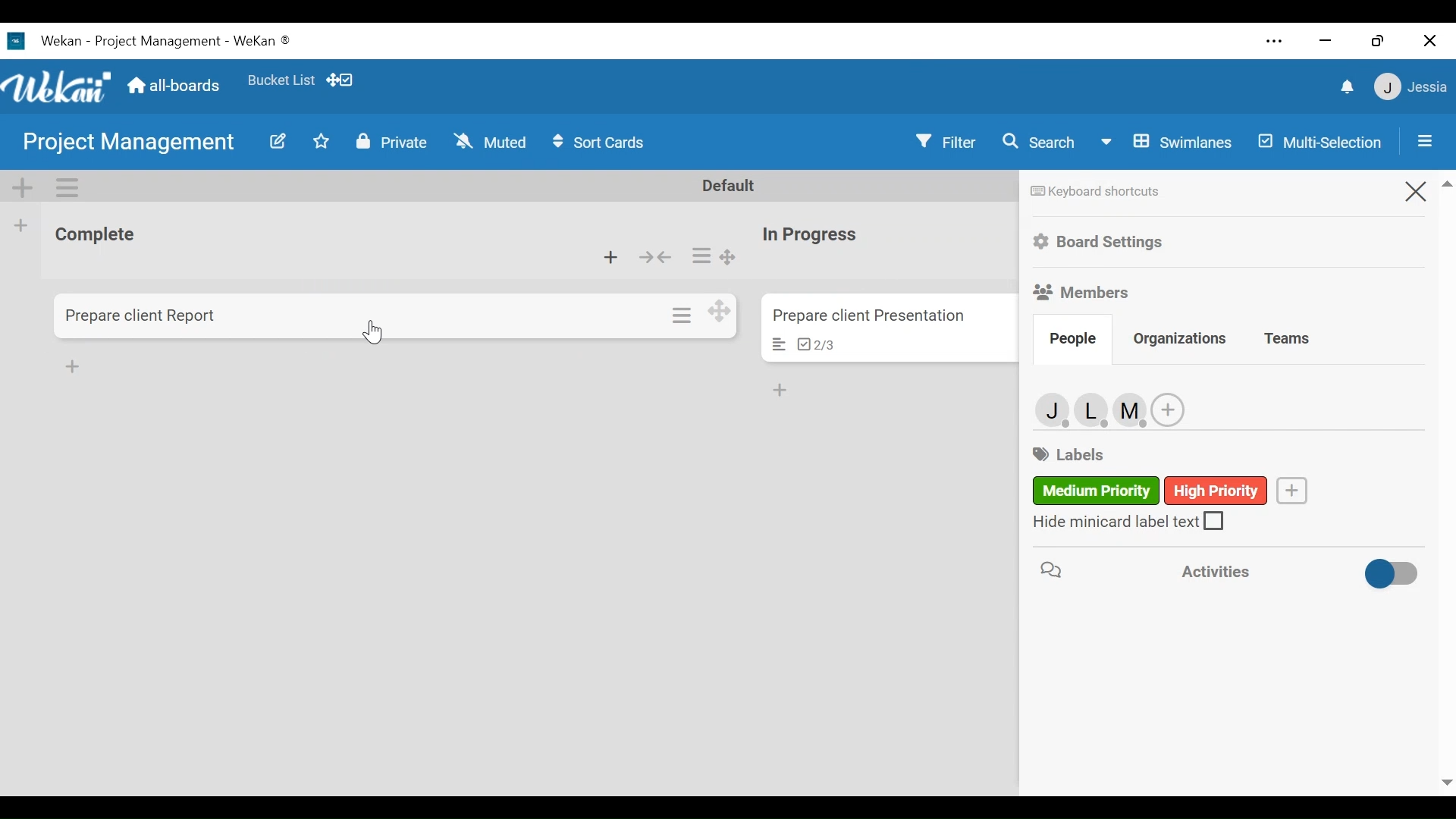 This screenshot has height=819, width=1456. Describe the element at coordinates (1169, 409) in the screenshot. I see `Add Member` at that location.